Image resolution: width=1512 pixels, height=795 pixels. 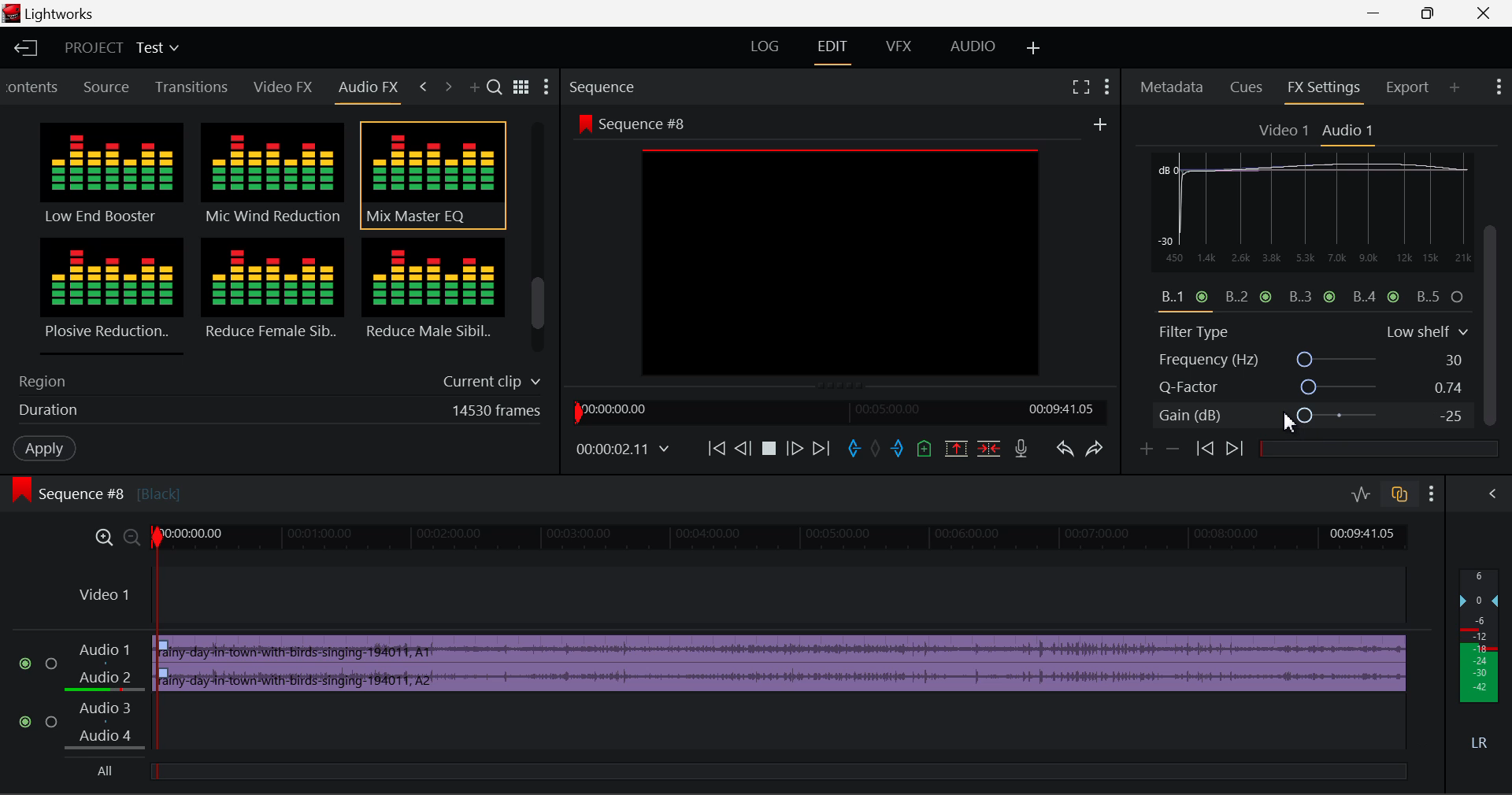 What do you see at coordinates (424, 84) in the screenshot?
I see `Previous Tab` at bounding box center [424, 84].